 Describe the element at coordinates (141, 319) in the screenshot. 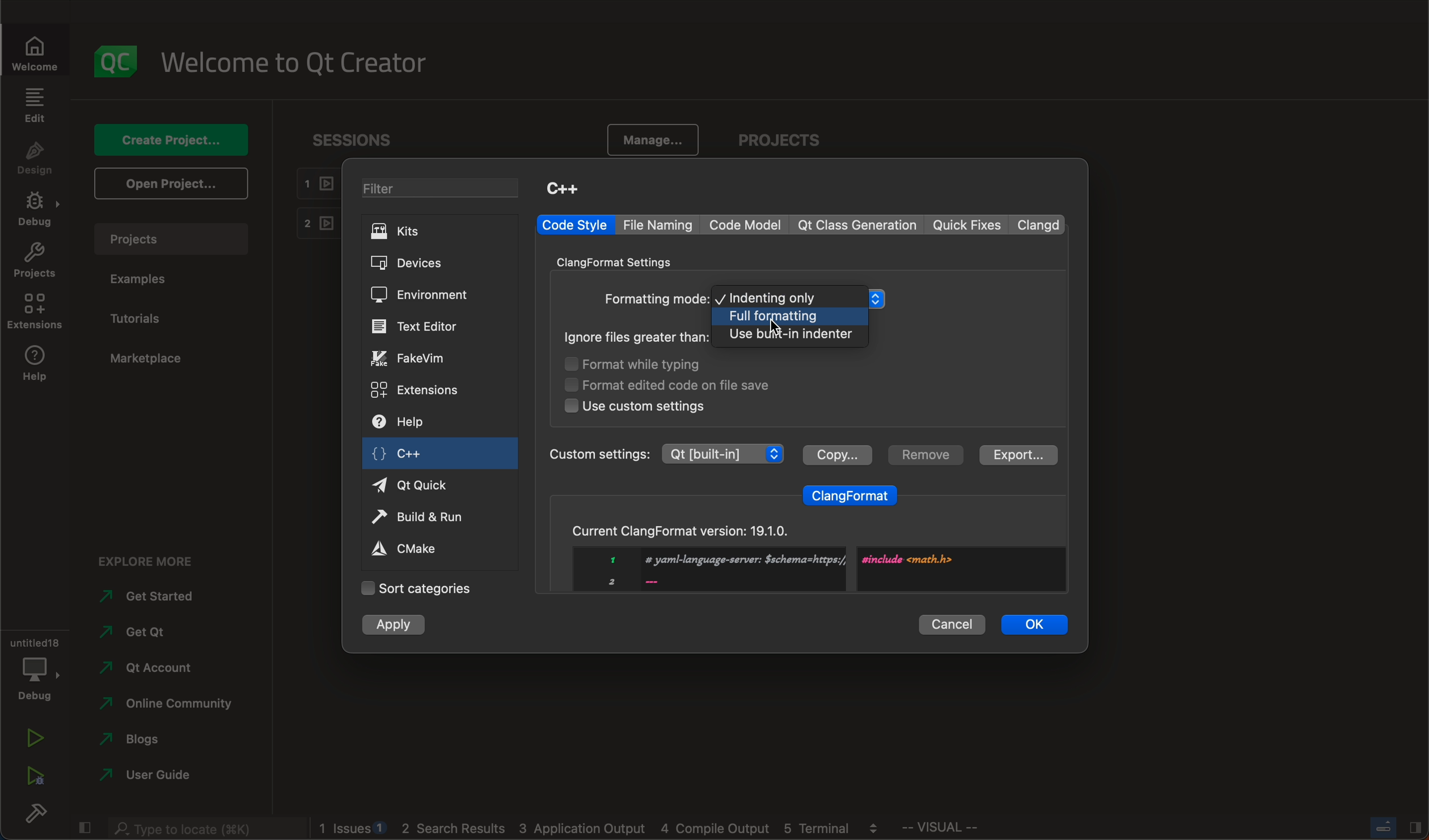

I see `tutorials` at that location.